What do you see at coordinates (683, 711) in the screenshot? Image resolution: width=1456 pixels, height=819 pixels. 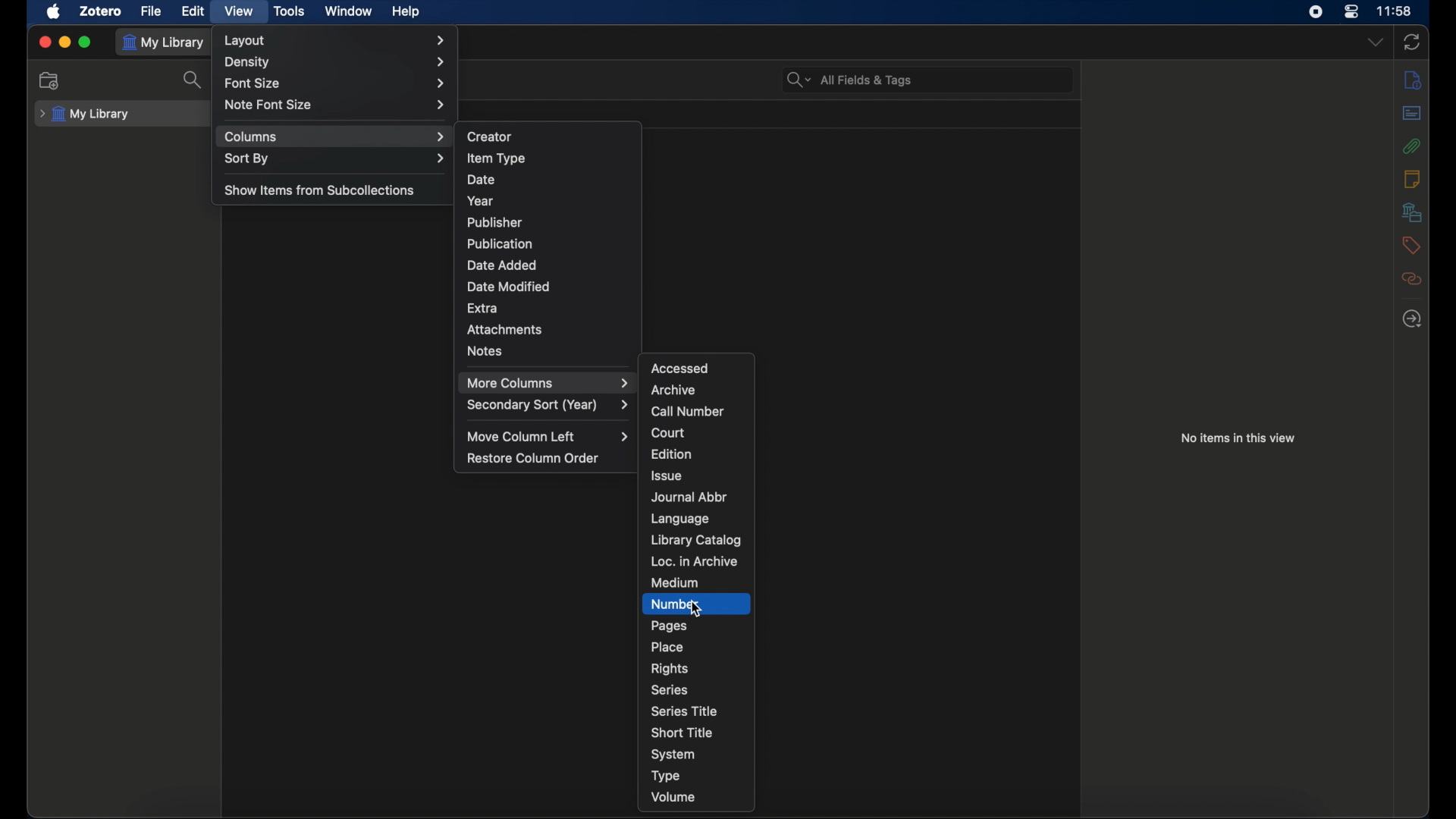 I see `series title` at bounding box center [683, 711].